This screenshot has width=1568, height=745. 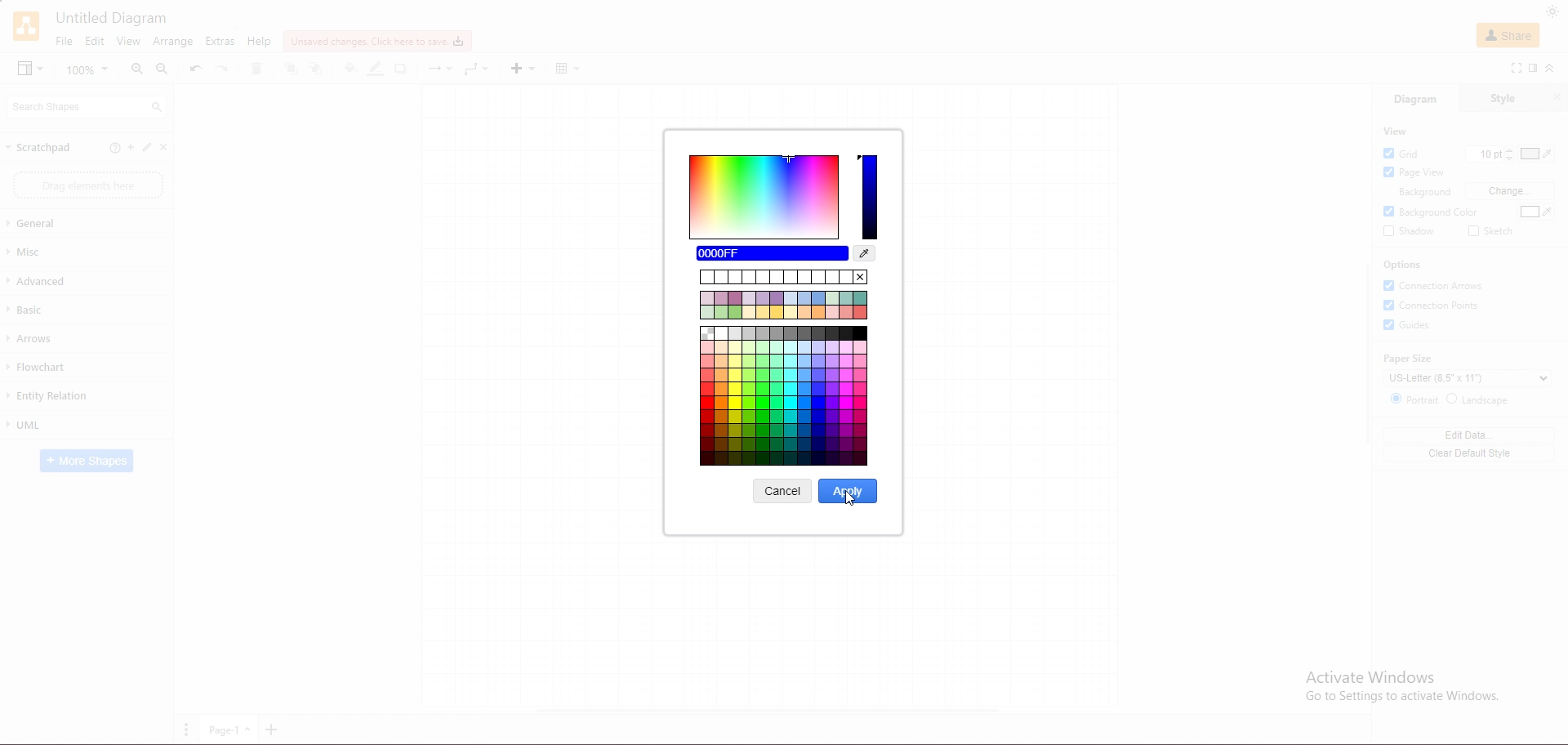 What do you see at coordinates (784, 397) in the screenshot?
I see `color options` at bounding box center [784, 397].